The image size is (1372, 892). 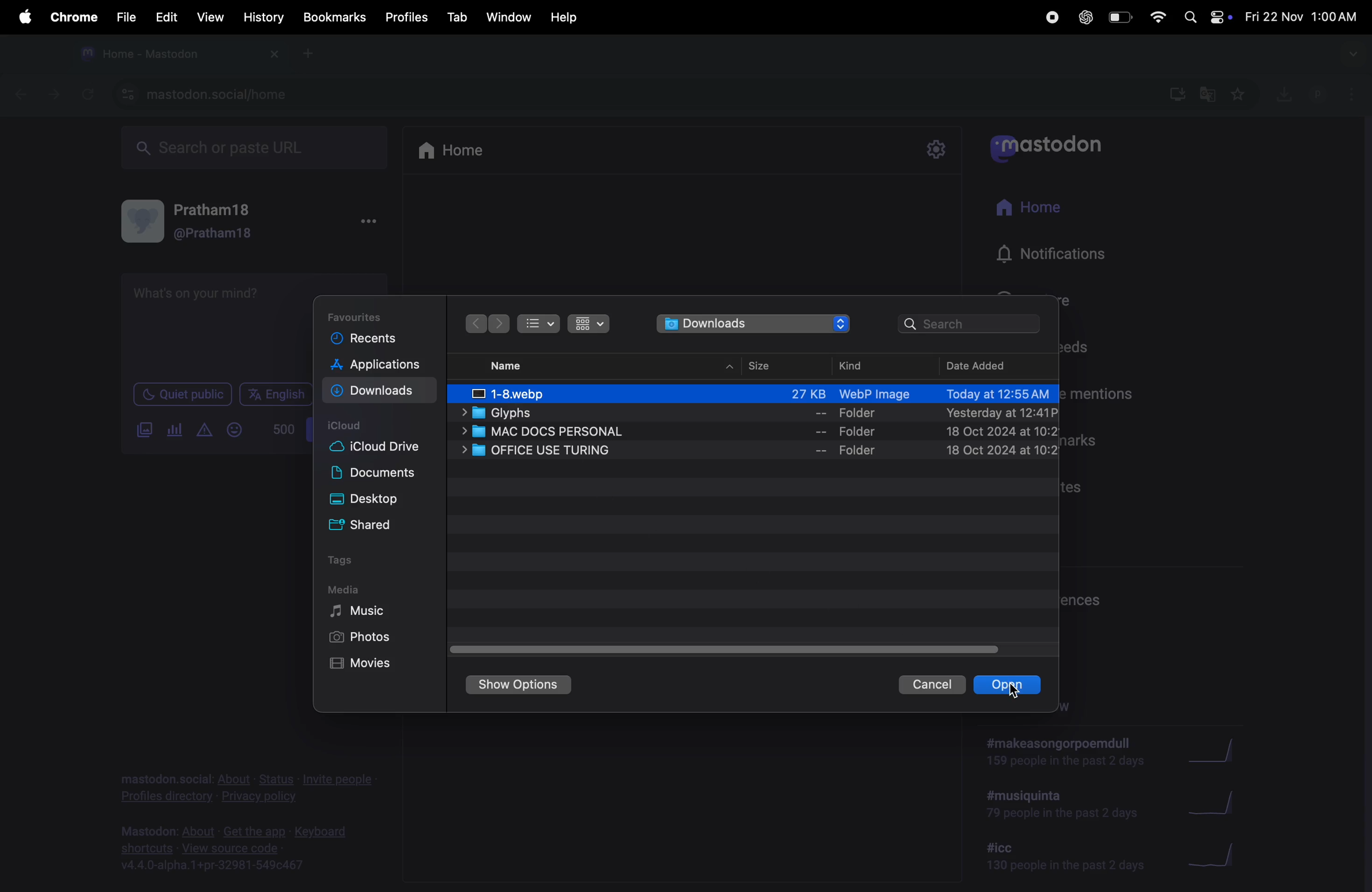 What do you see at coordinates (587, 323) in the screenshot?
I see `box view` at bounding box center [587, 323].